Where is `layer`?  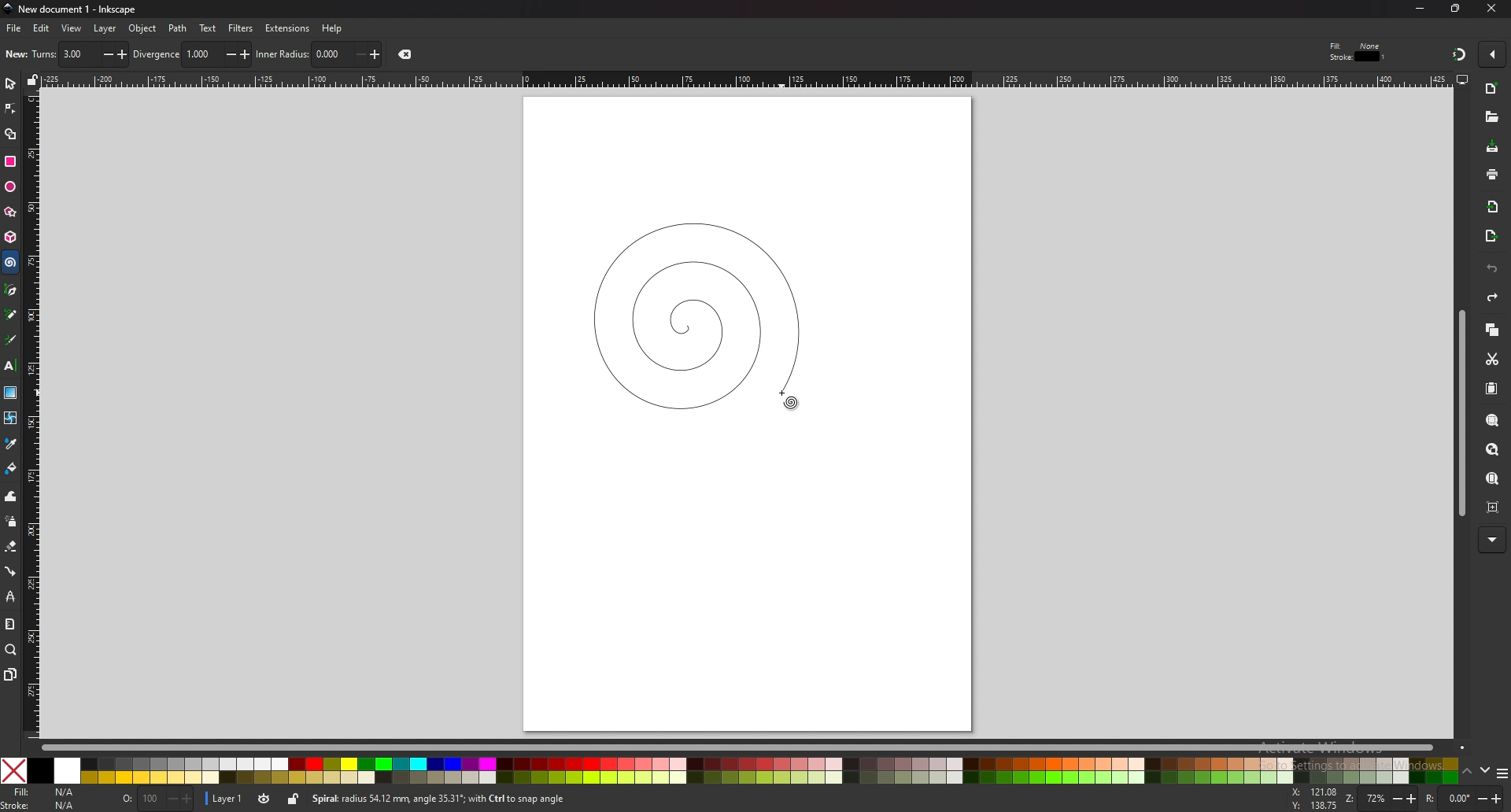
layer is located at coordinates (105, 28).